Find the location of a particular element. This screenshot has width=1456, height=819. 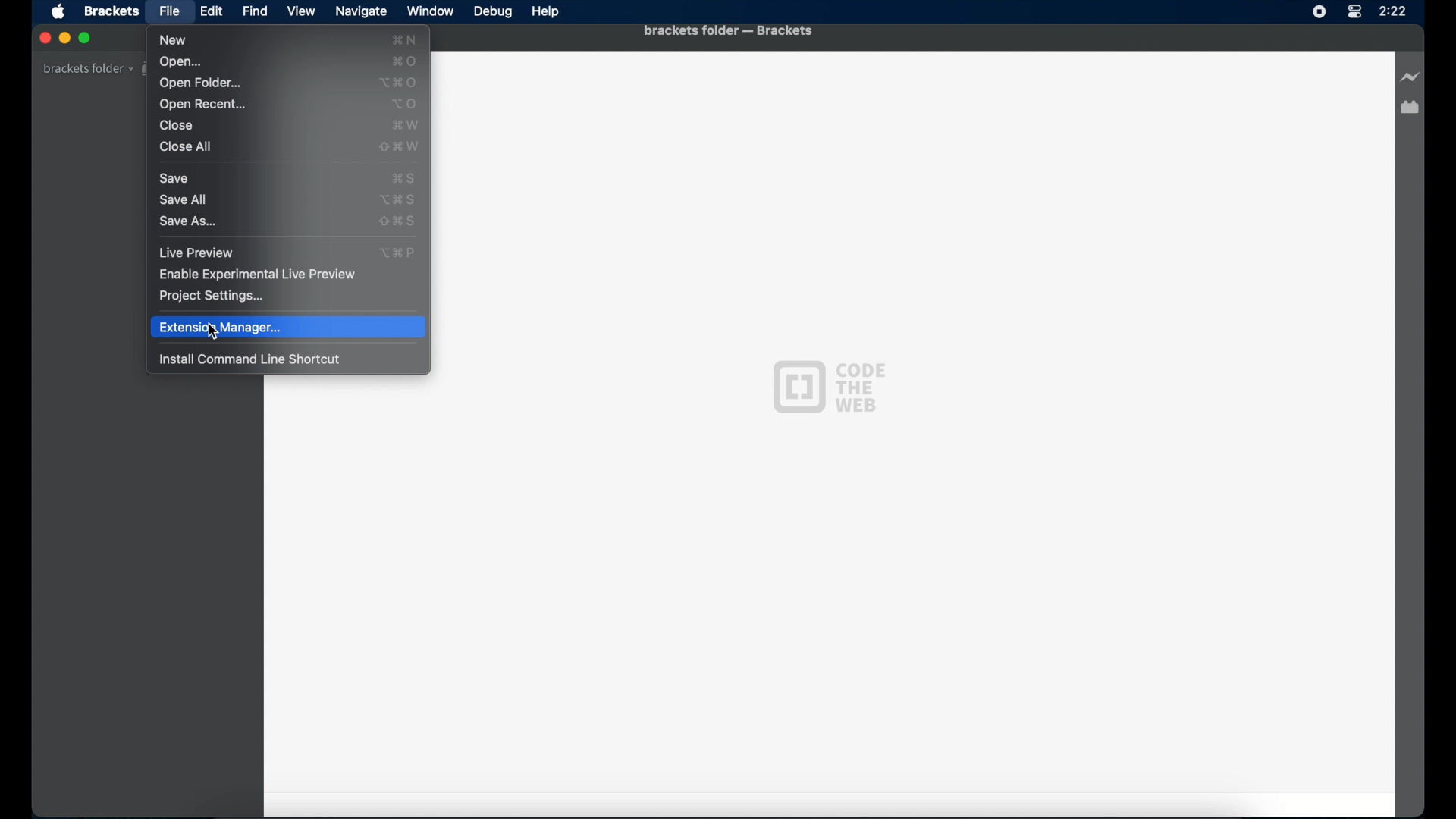

extension manager is located at coordinates (1411, 108).